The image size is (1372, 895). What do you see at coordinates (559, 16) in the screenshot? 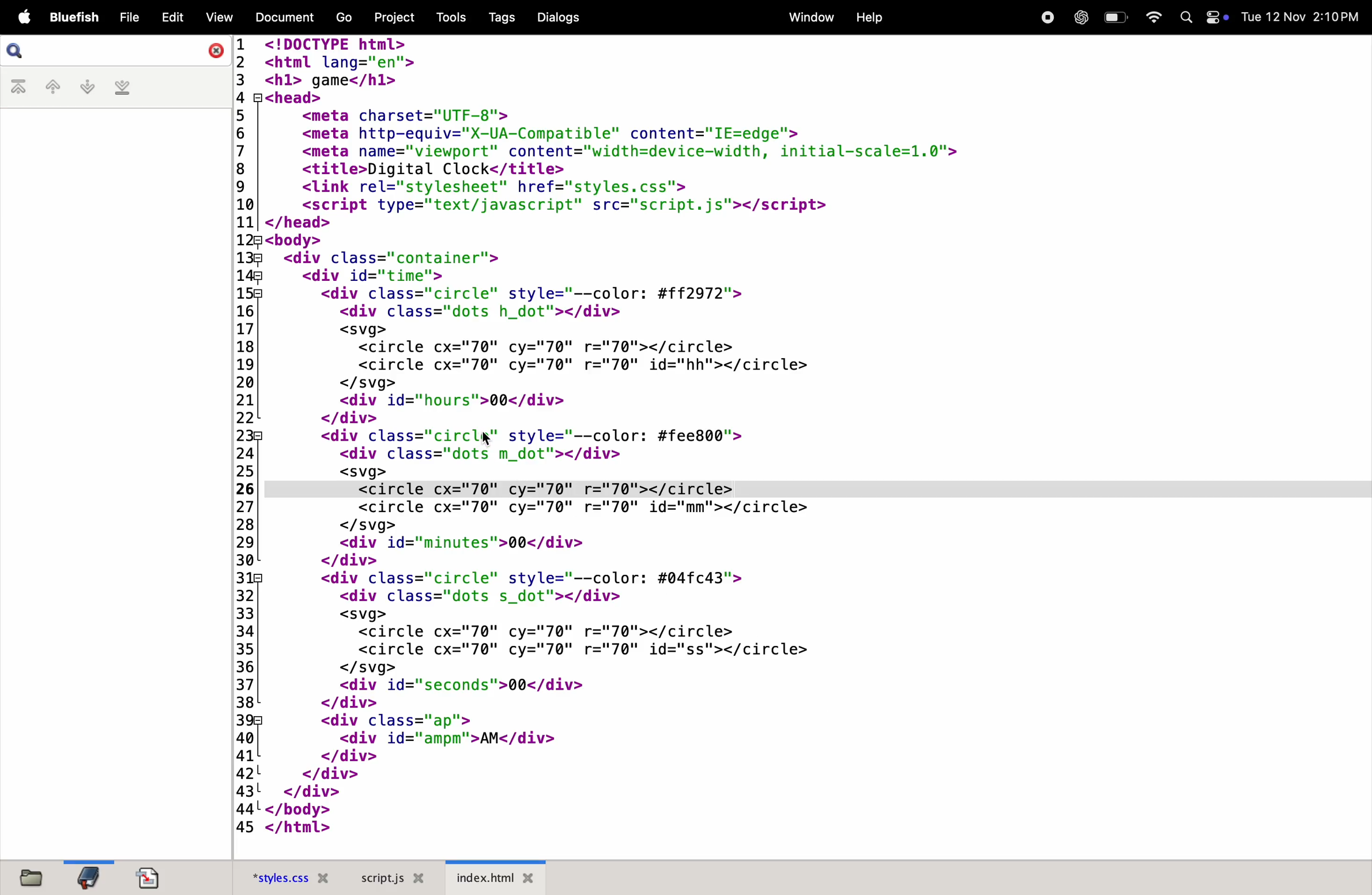
I see `dialogs` at bounding box center [559, 16].